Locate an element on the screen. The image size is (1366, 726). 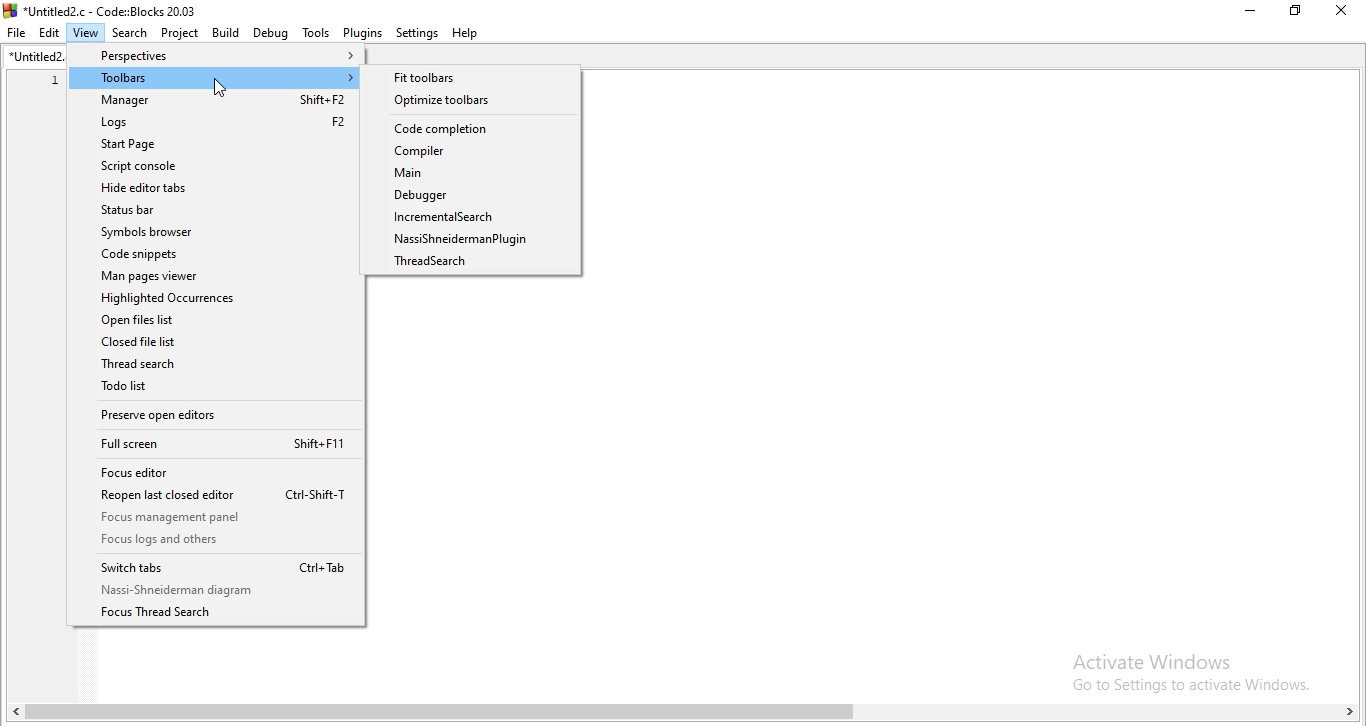
Edit  is located at coordinates (46, 33).